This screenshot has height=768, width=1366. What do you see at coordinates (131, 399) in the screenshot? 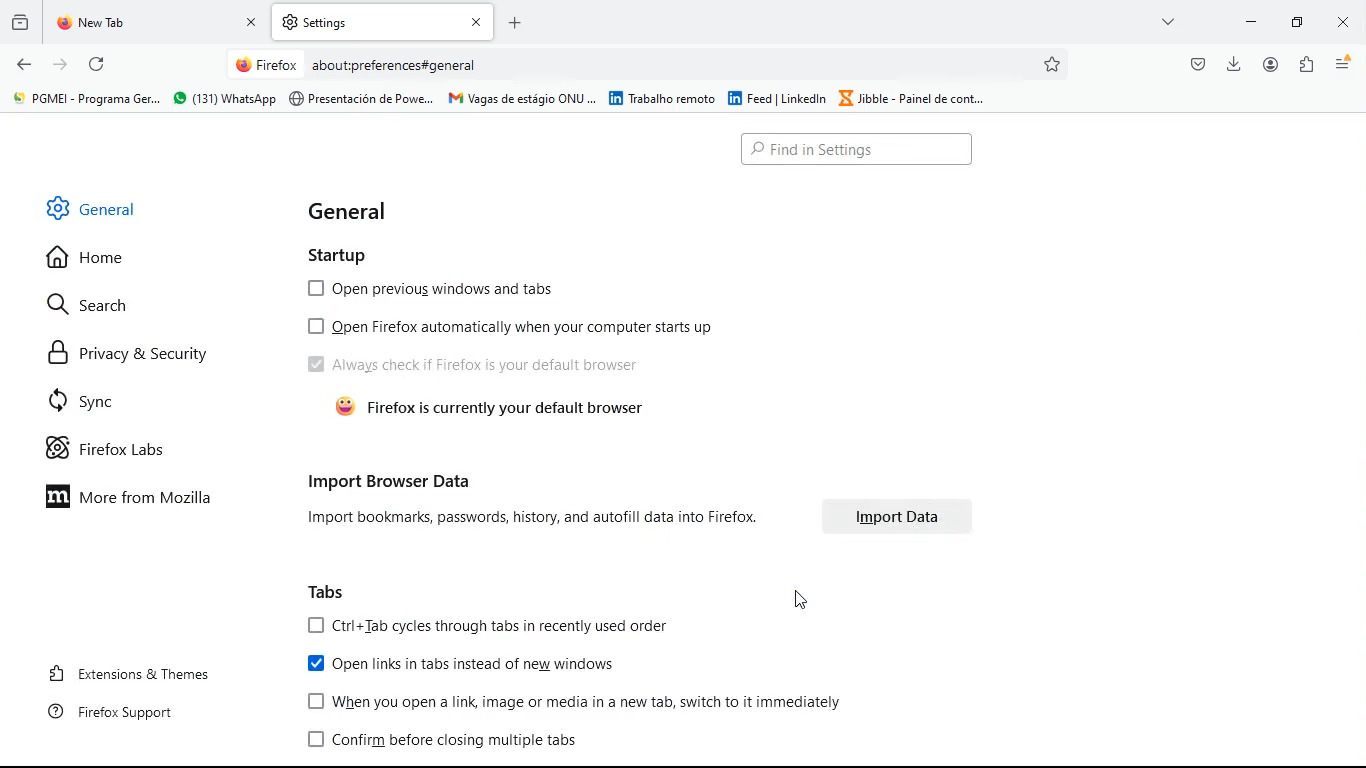
I see `sync` at bounding box center [131, 399].